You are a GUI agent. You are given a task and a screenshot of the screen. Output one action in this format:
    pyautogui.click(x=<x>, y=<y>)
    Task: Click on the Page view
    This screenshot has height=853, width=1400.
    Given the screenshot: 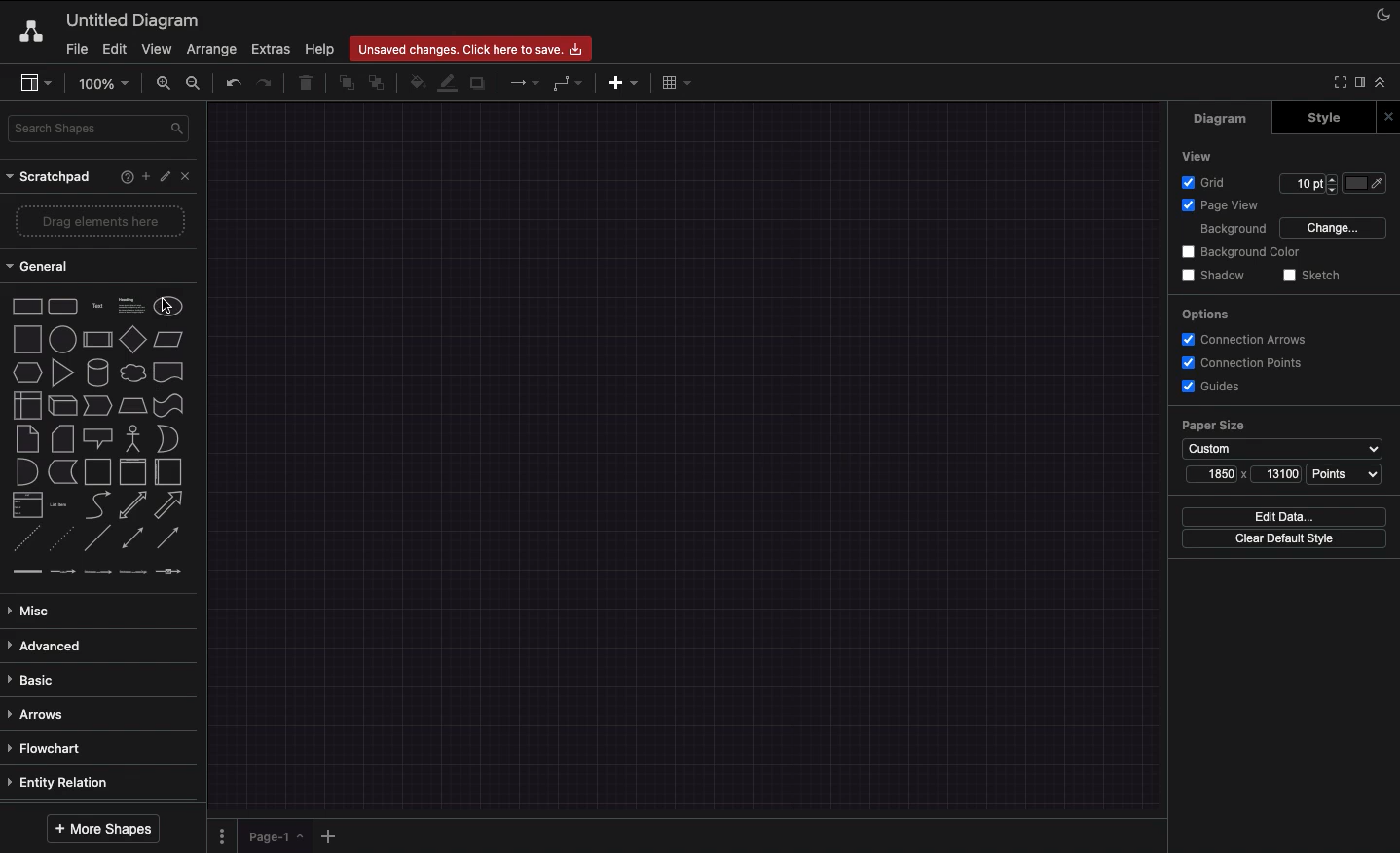 What is the action you would take?
    pyautogui.click(x=1217, y=206)
    